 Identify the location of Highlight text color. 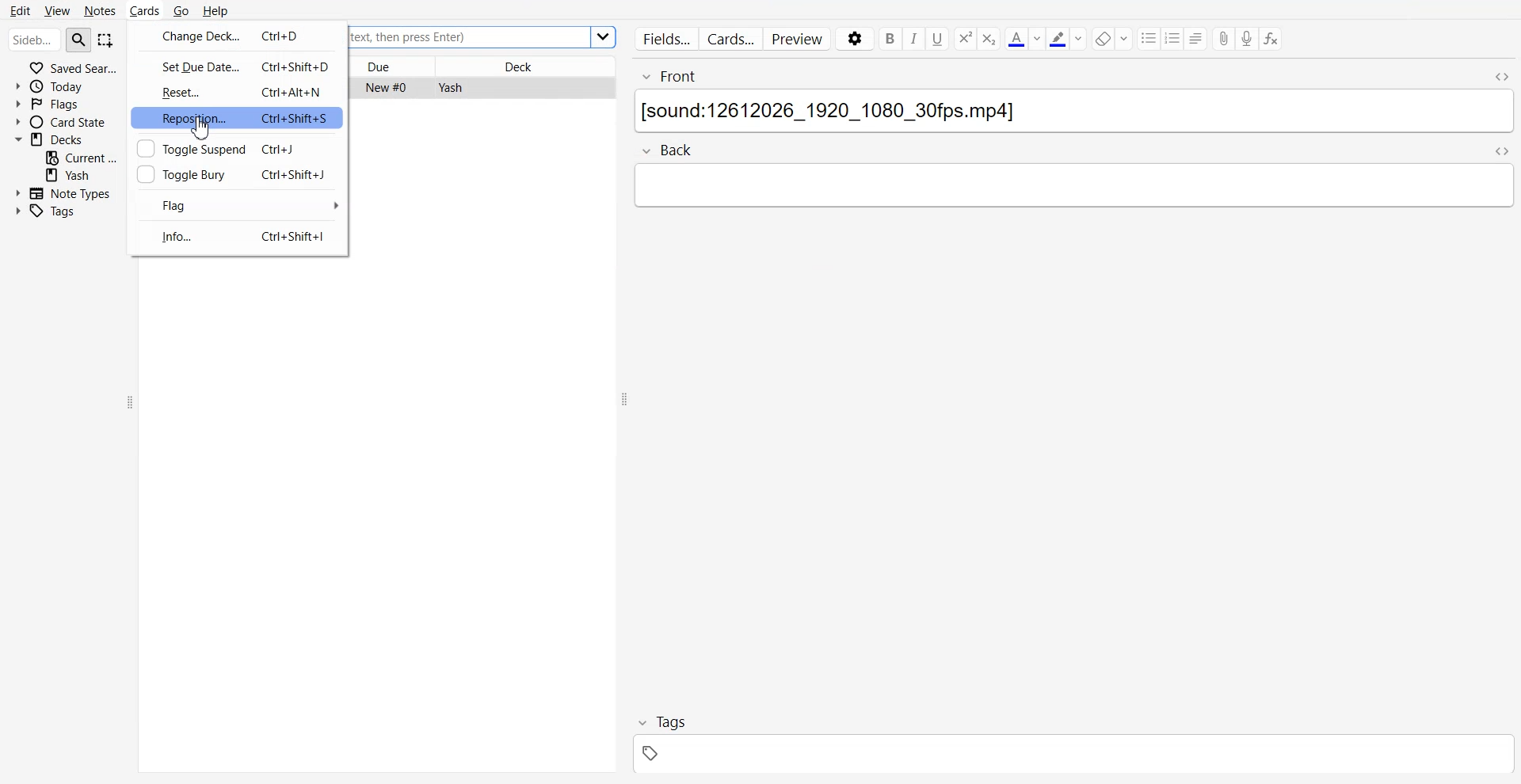
(1067, 38).